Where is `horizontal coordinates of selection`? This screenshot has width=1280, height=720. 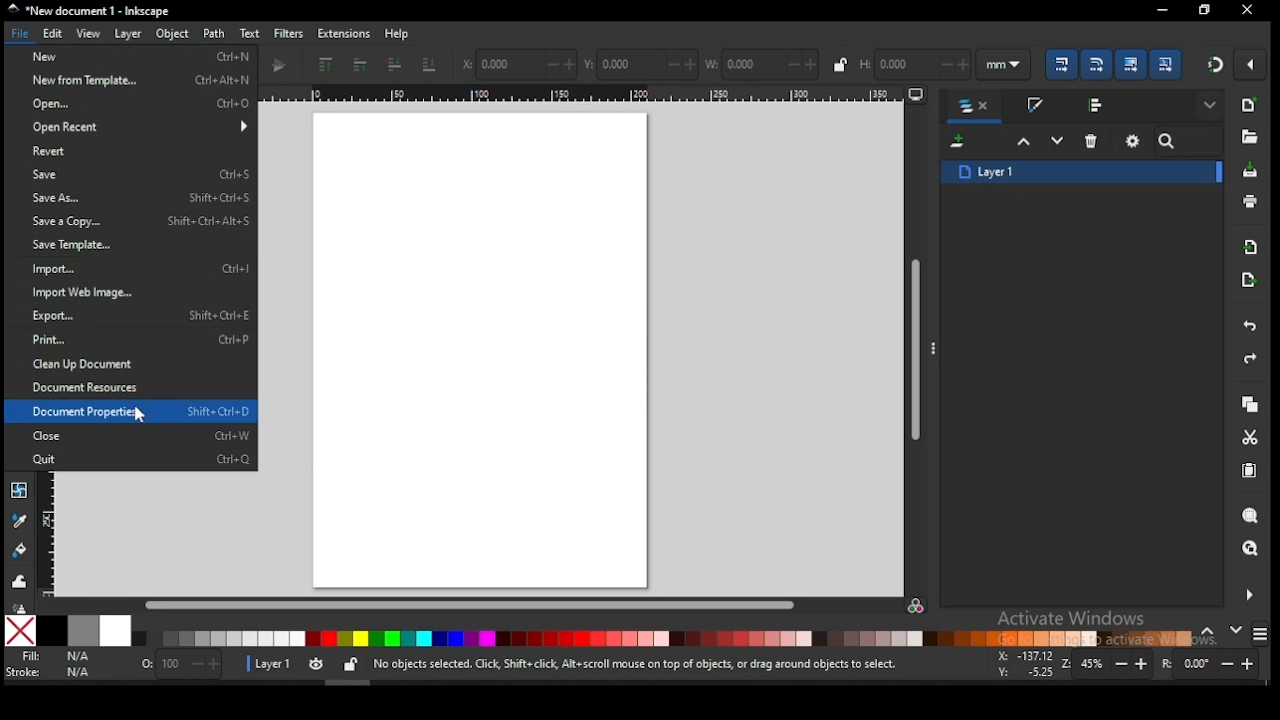 horizontal coordinates of selection is located at coordinates (518, 63).